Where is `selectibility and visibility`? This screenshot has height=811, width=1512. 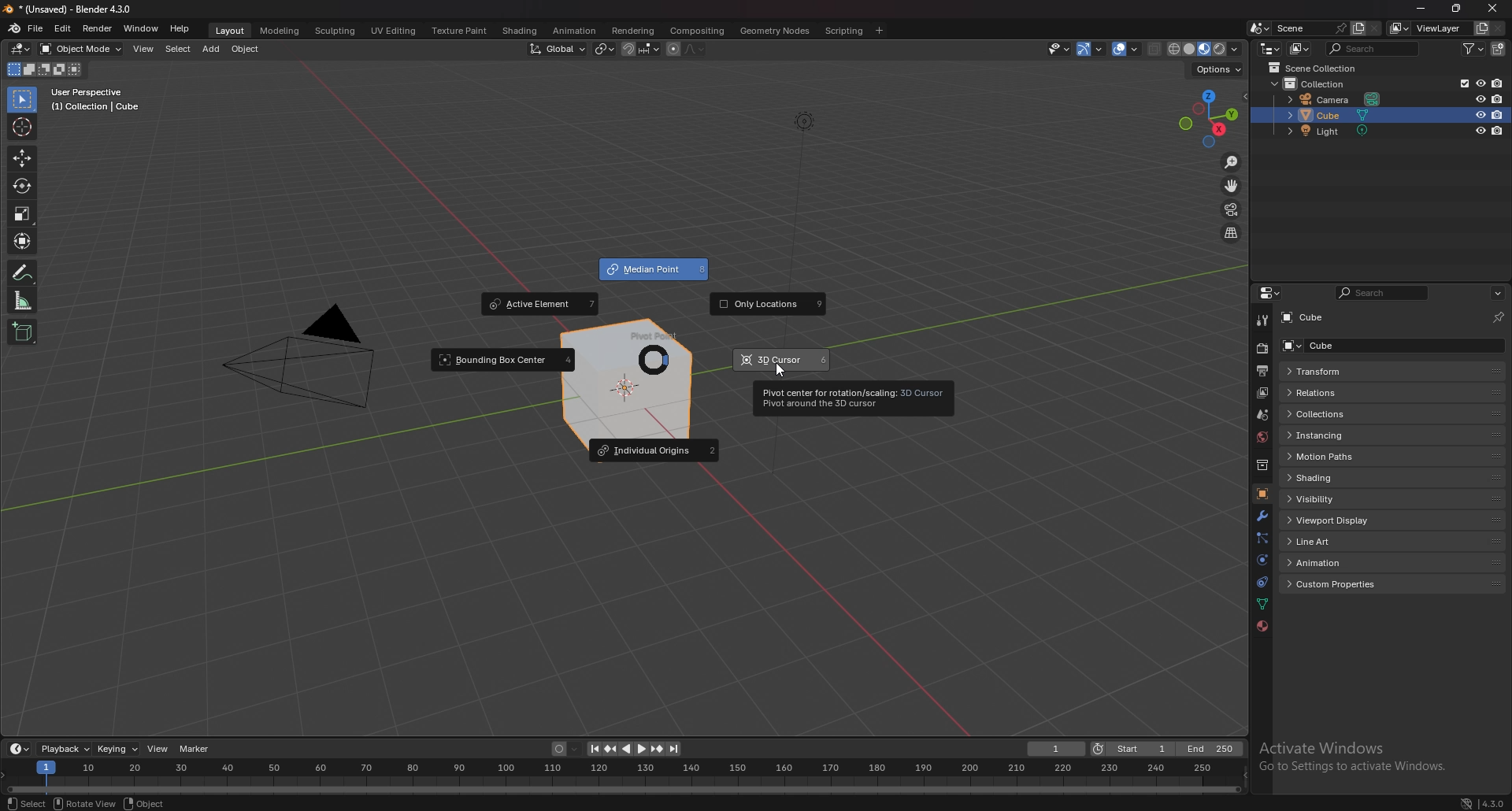
selectibility and visibility is located at coordinates (1059, 49).